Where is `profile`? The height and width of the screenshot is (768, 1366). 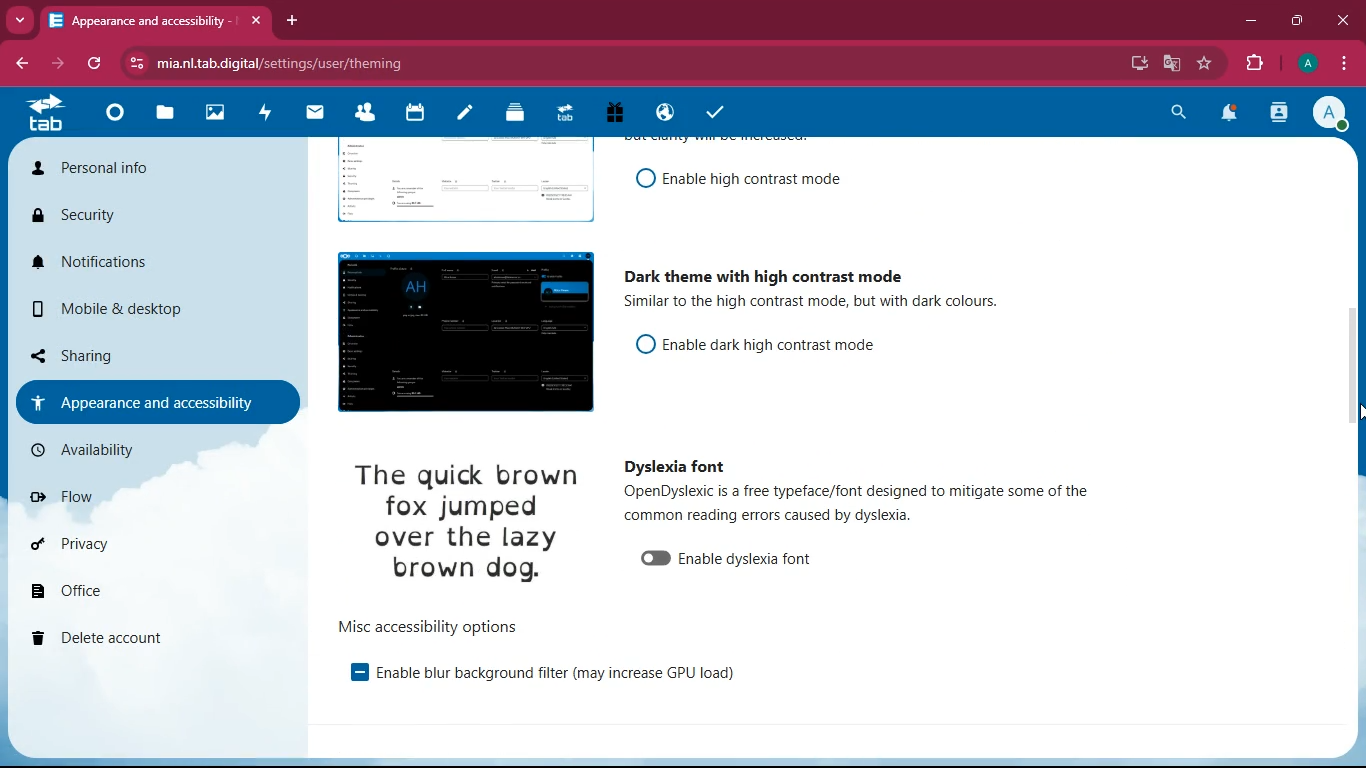
profile is located at coordinates (1335, 115).